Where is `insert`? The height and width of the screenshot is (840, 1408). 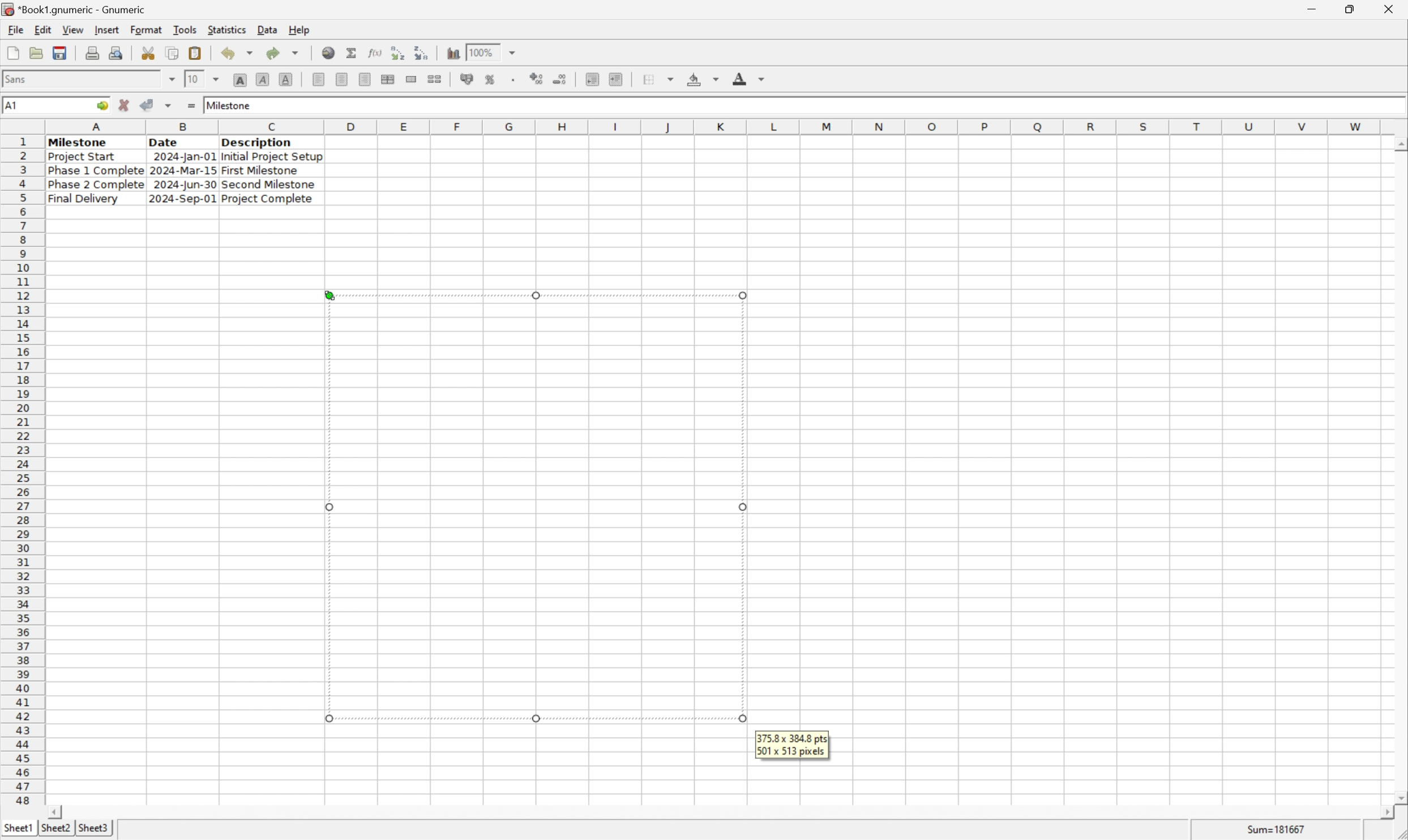
insert is located at coordinates (106, 31).